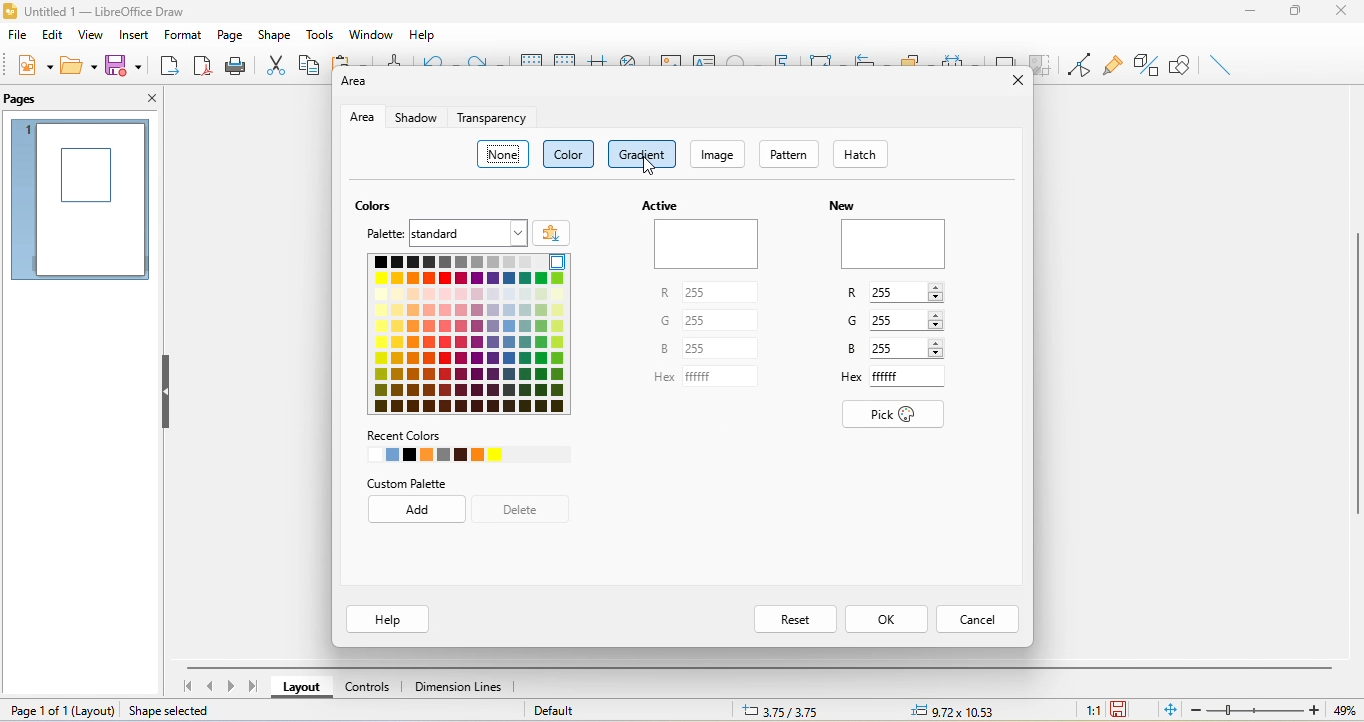  Describe the element at coordinates (1091, 711) in the screenshot. I see `1:1` at that location.